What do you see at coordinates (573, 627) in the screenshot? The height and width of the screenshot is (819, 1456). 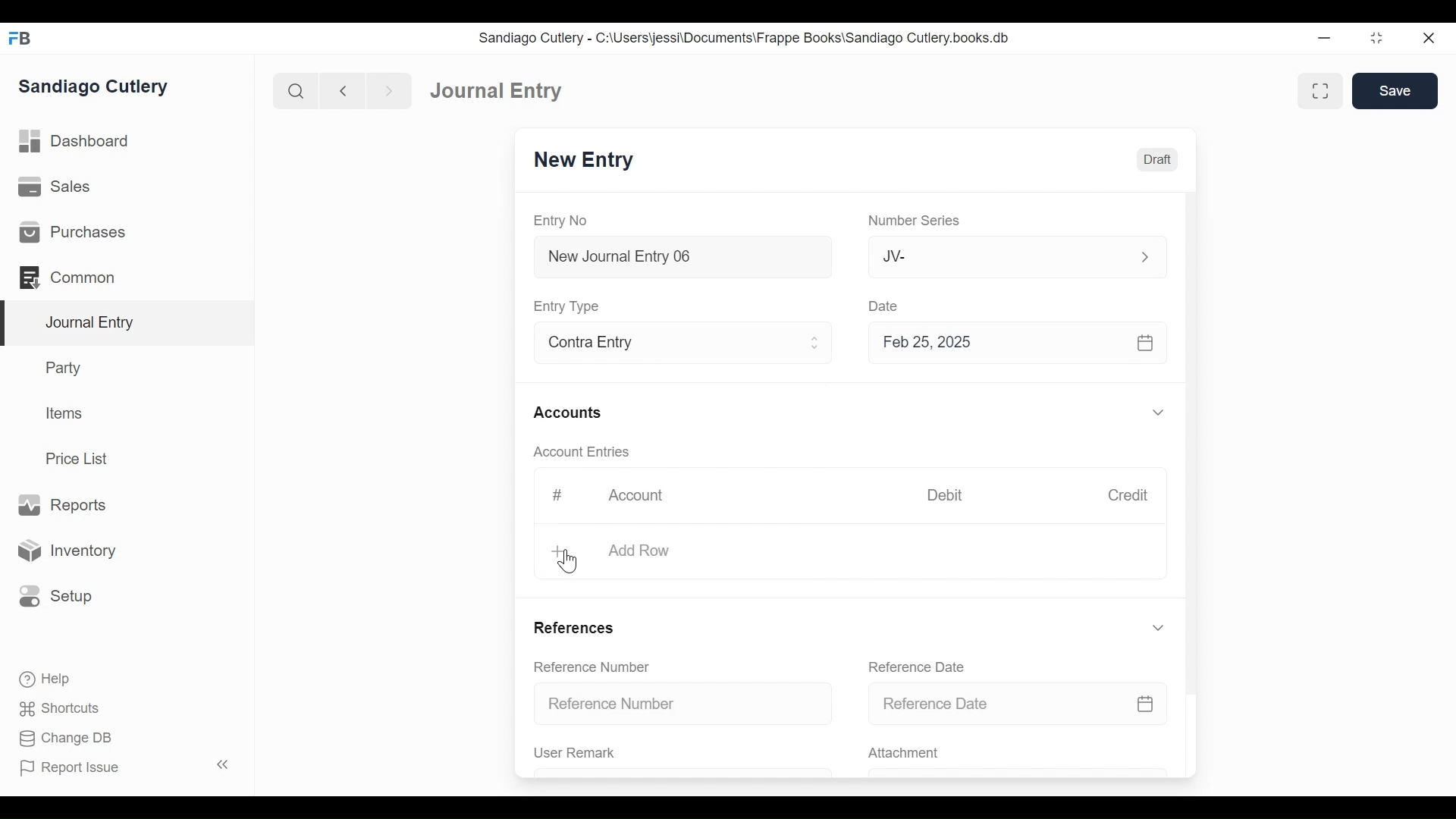 I see `References` at bounding box center [573, 627].